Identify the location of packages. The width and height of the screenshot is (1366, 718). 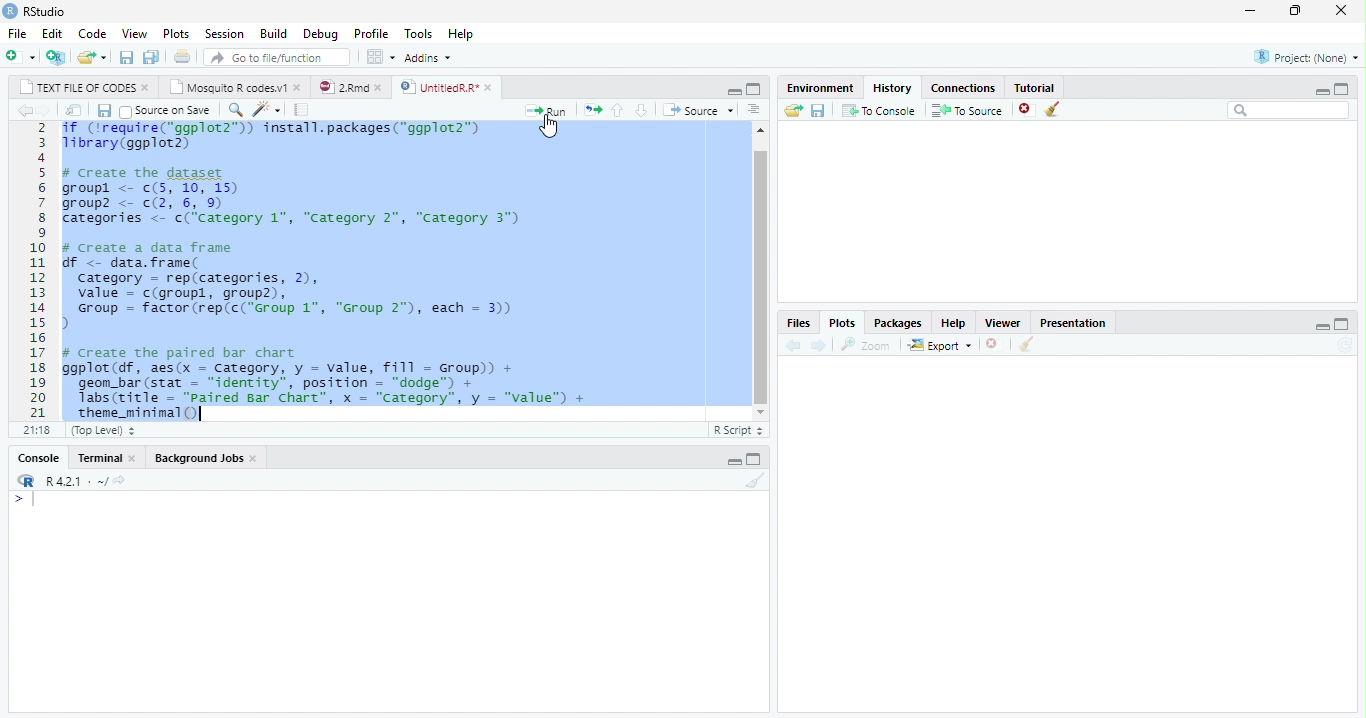
(898, 321).